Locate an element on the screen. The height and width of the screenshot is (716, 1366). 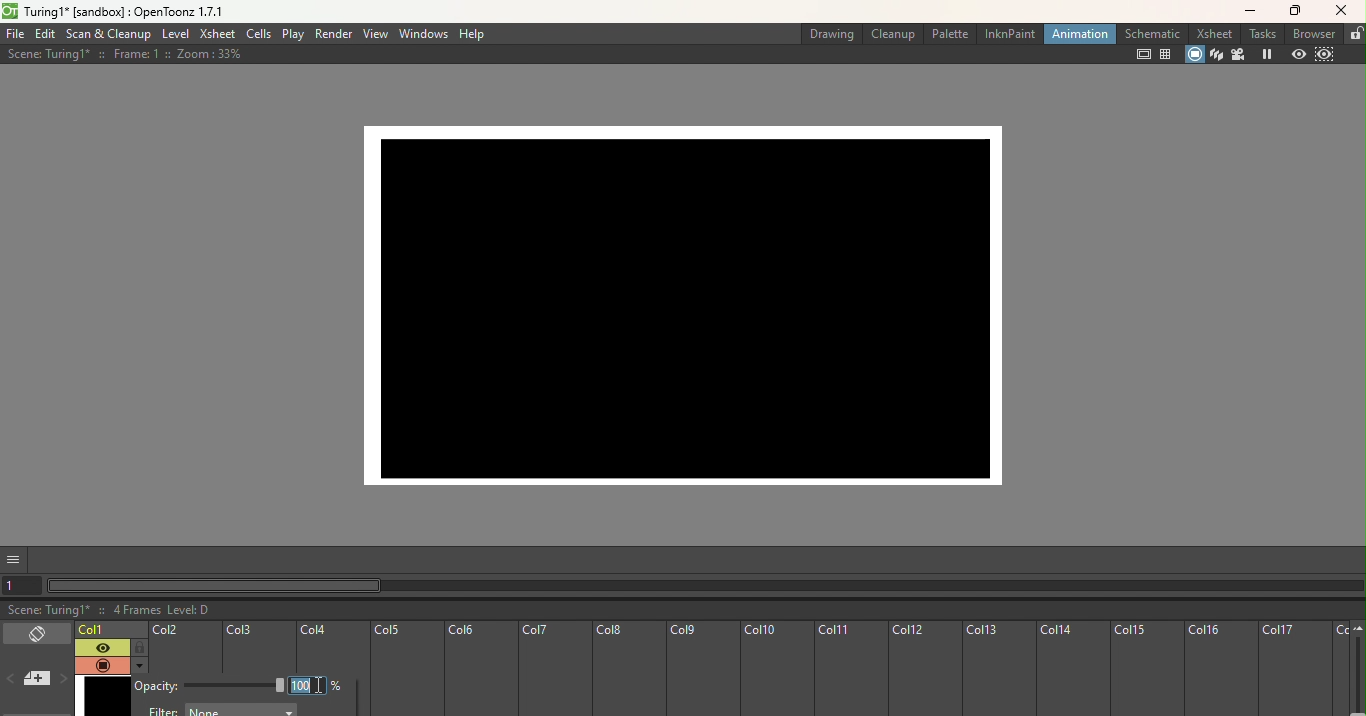
Cleanup is located at coordinates (892, 33).